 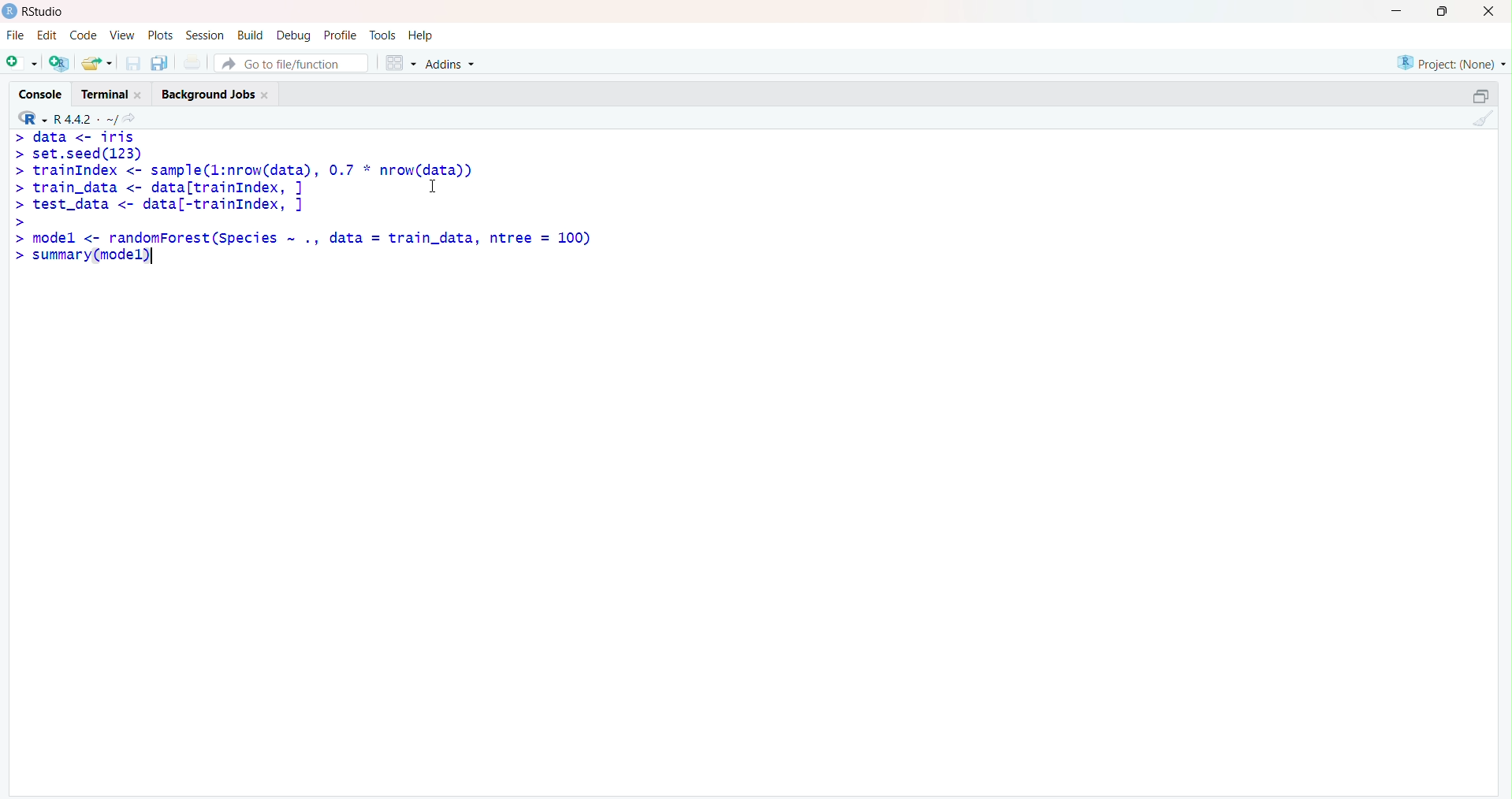 I want to click on RStudio, so click(x=37, y=11).